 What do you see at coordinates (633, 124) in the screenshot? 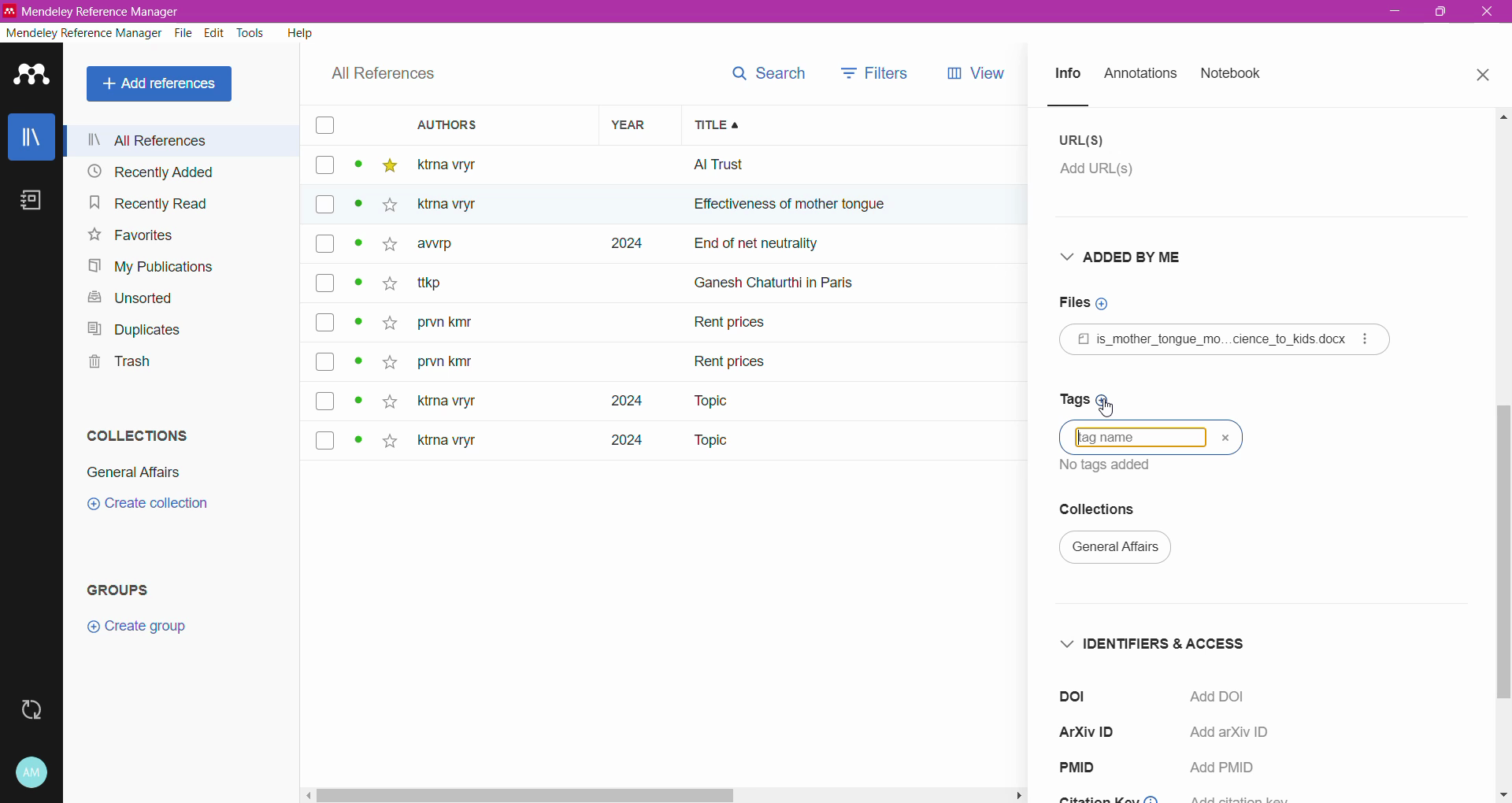
I see `Year` at bounding box center [633, 124].